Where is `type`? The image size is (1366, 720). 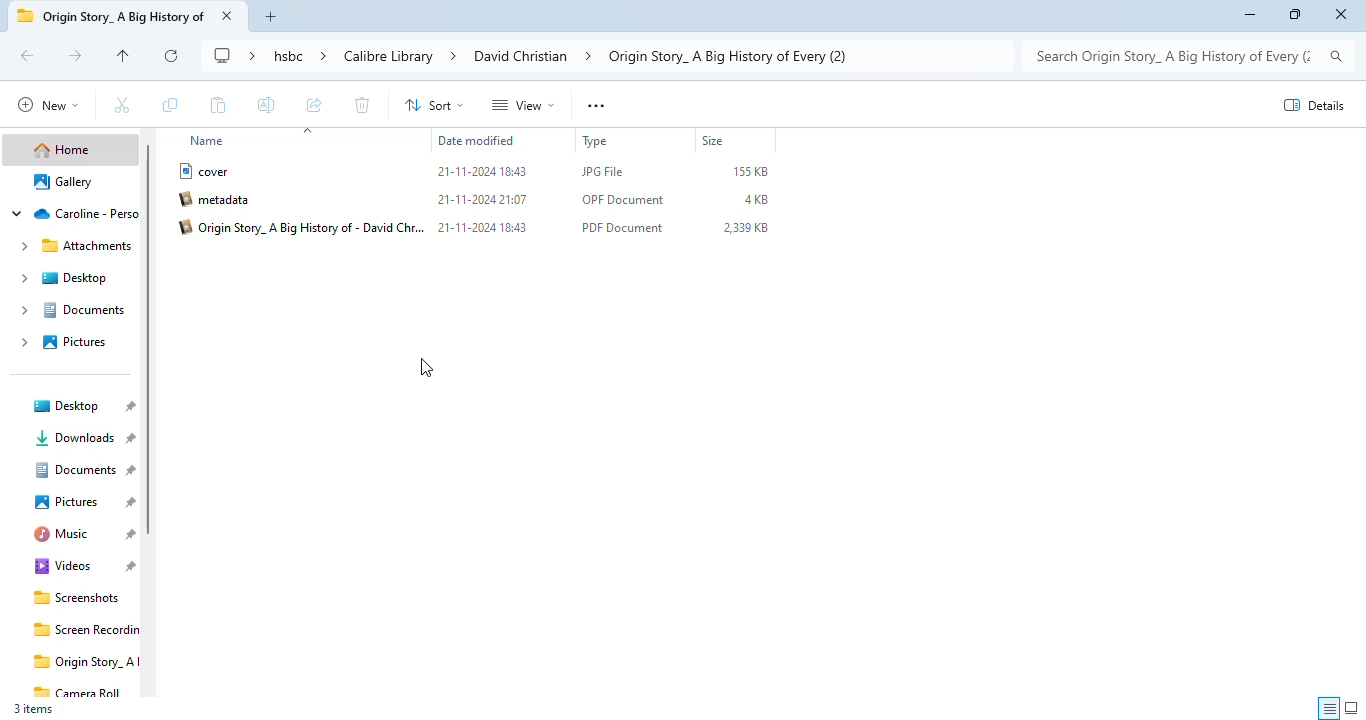 type is located at coordinates (596, 140).